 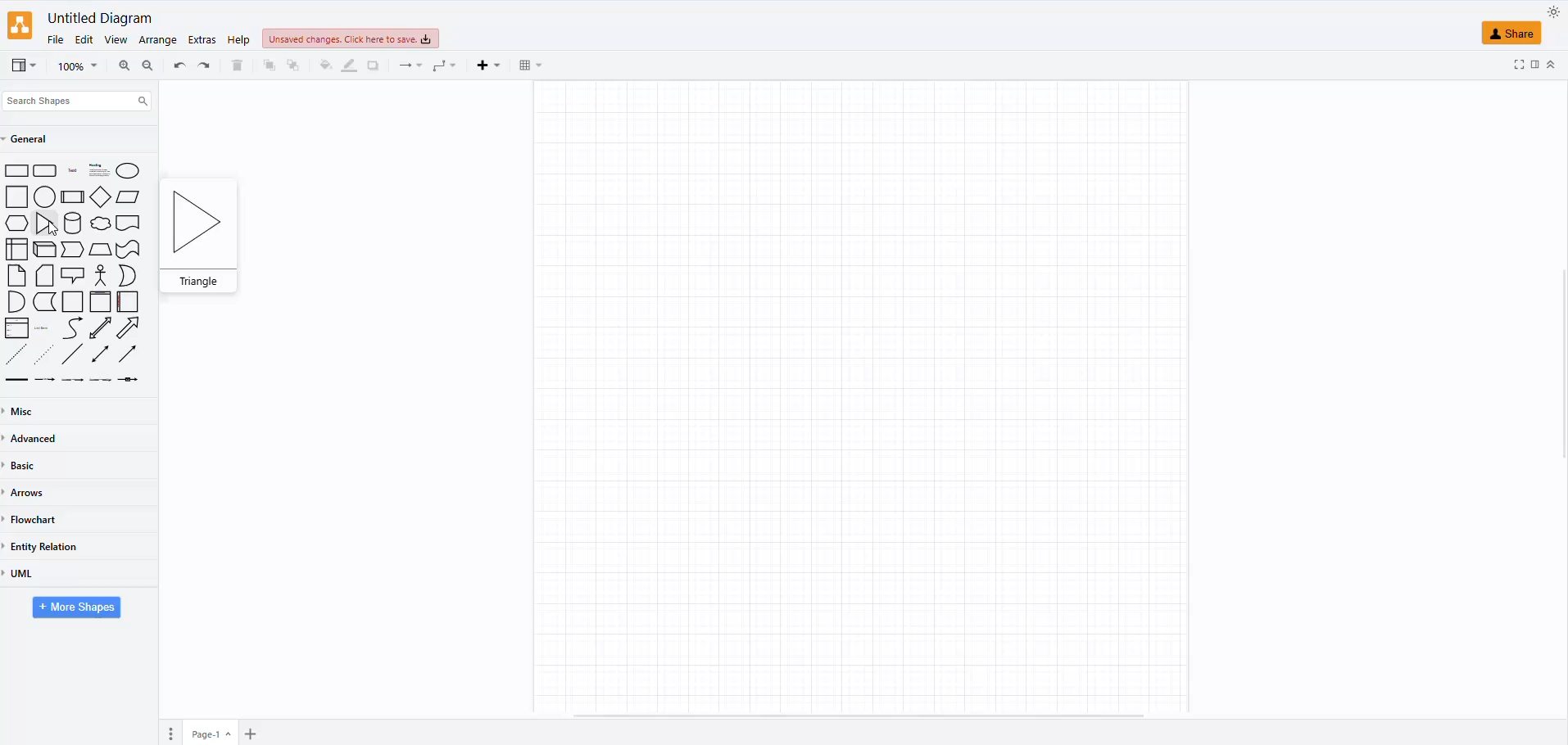 I want to click on Hemisphere, so click(x=15, y=301).